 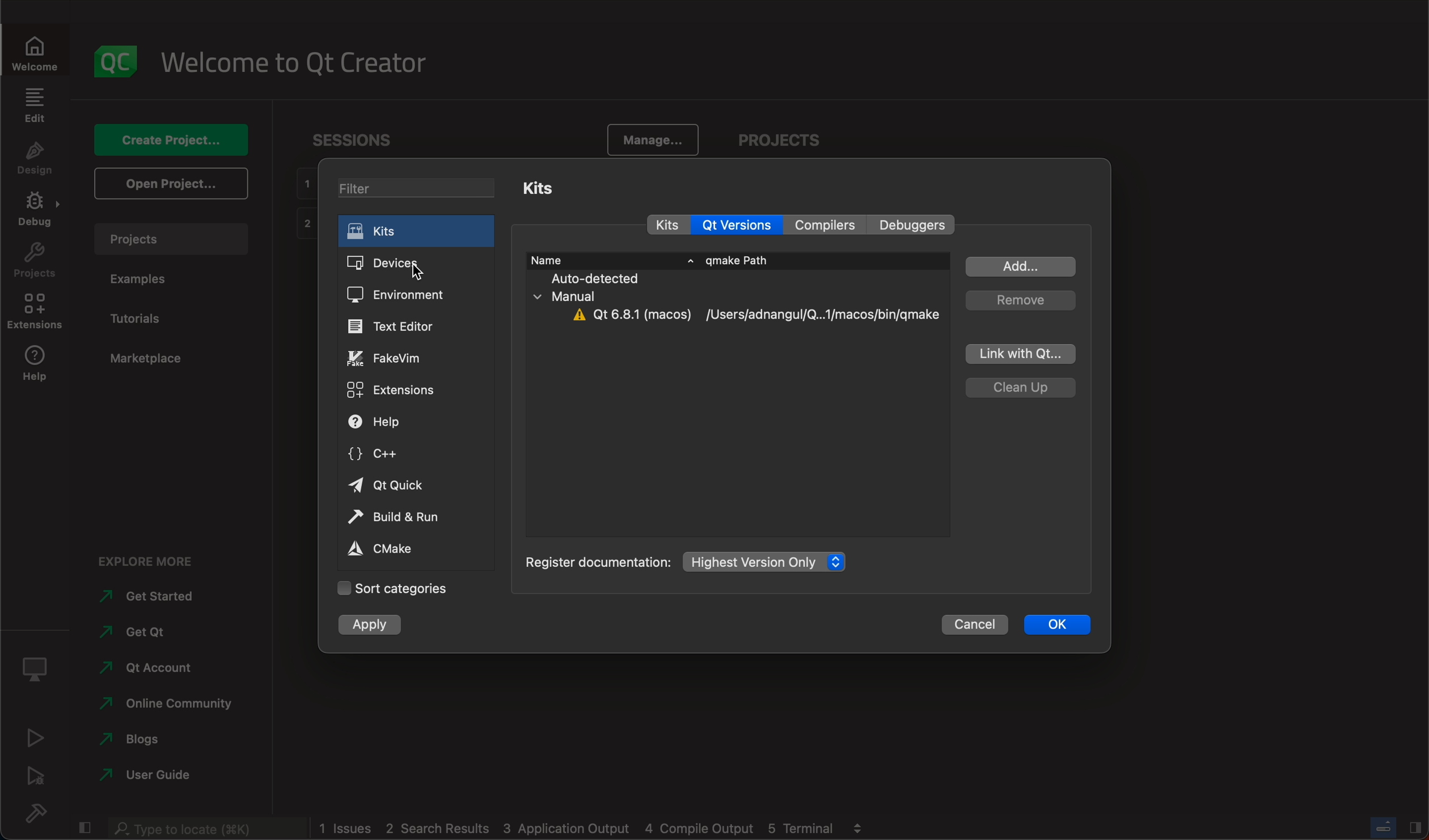 What do you see at coordinates (594, 279) in the screenshot?
I see `auto-detected` at bounding box center [594, 279].